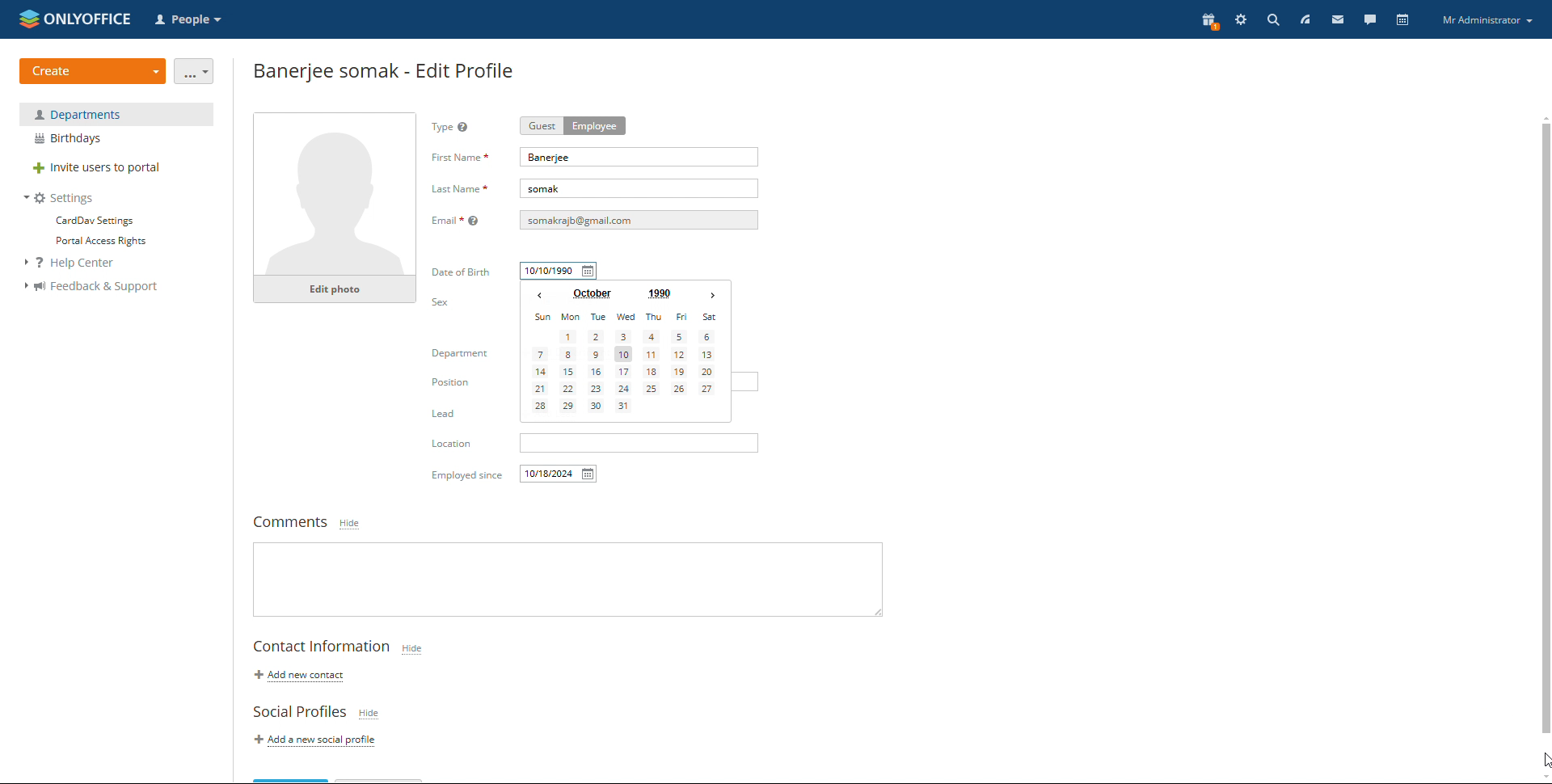  What do you see at coordinates (91, 287) in the screenshot?
I see `feedback and support` at bounding box center [91, 287].